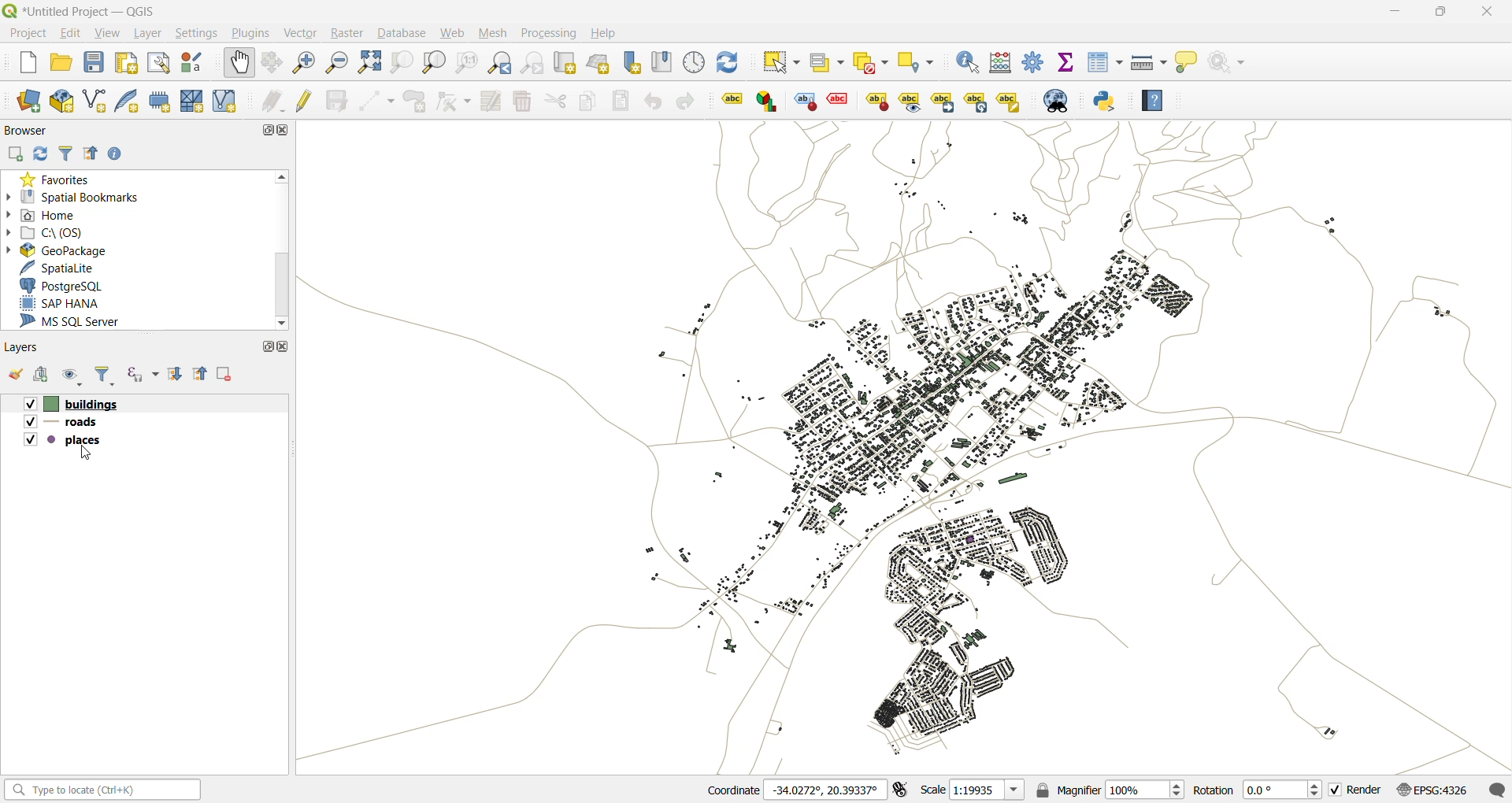 The height and width of the screenshot is (803, 1512). I want to click on new, so click(29, 64).